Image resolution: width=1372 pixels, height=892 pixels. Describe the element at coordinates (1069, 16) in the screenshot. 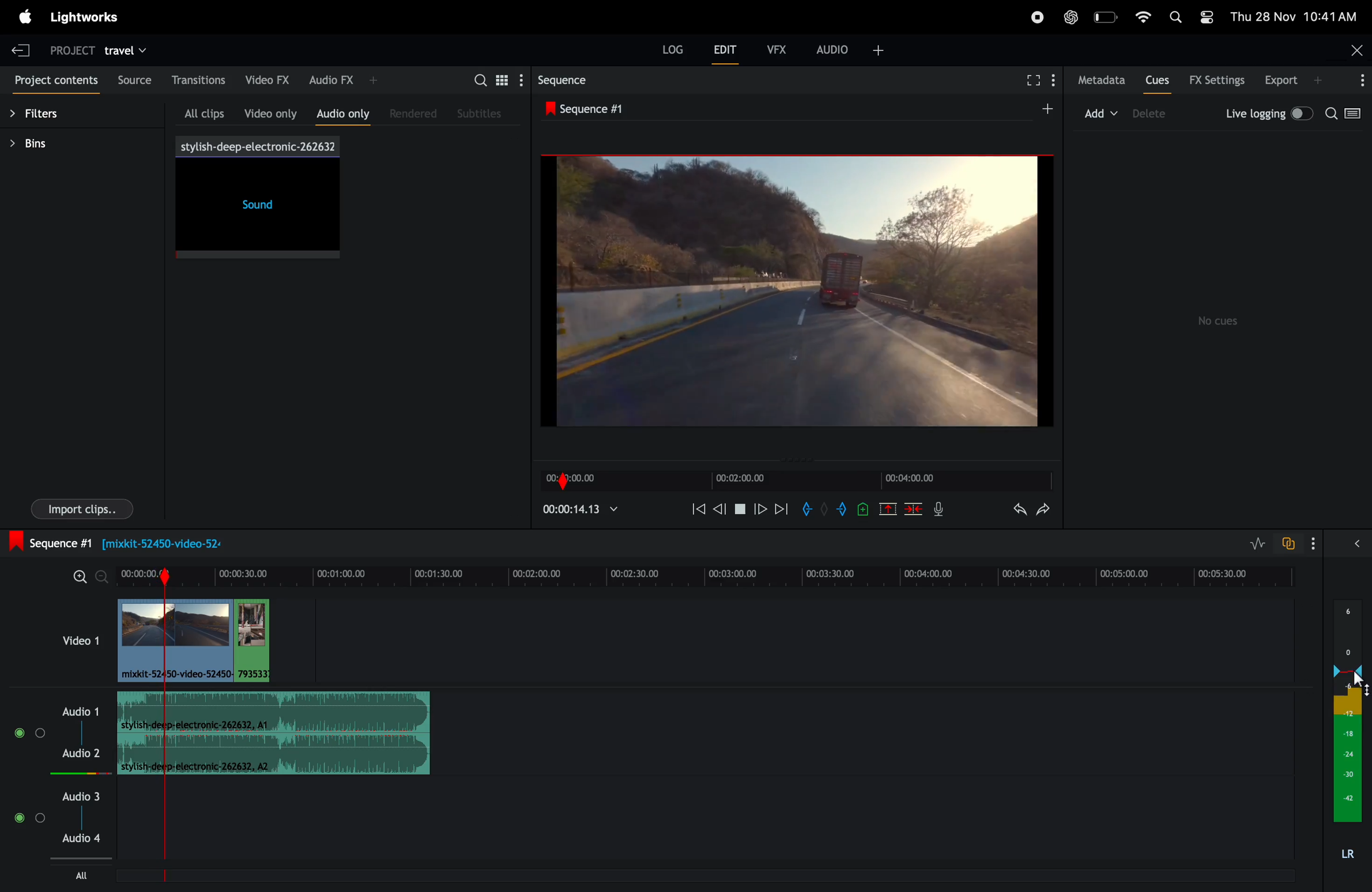

I see `chatgpt` at that location.